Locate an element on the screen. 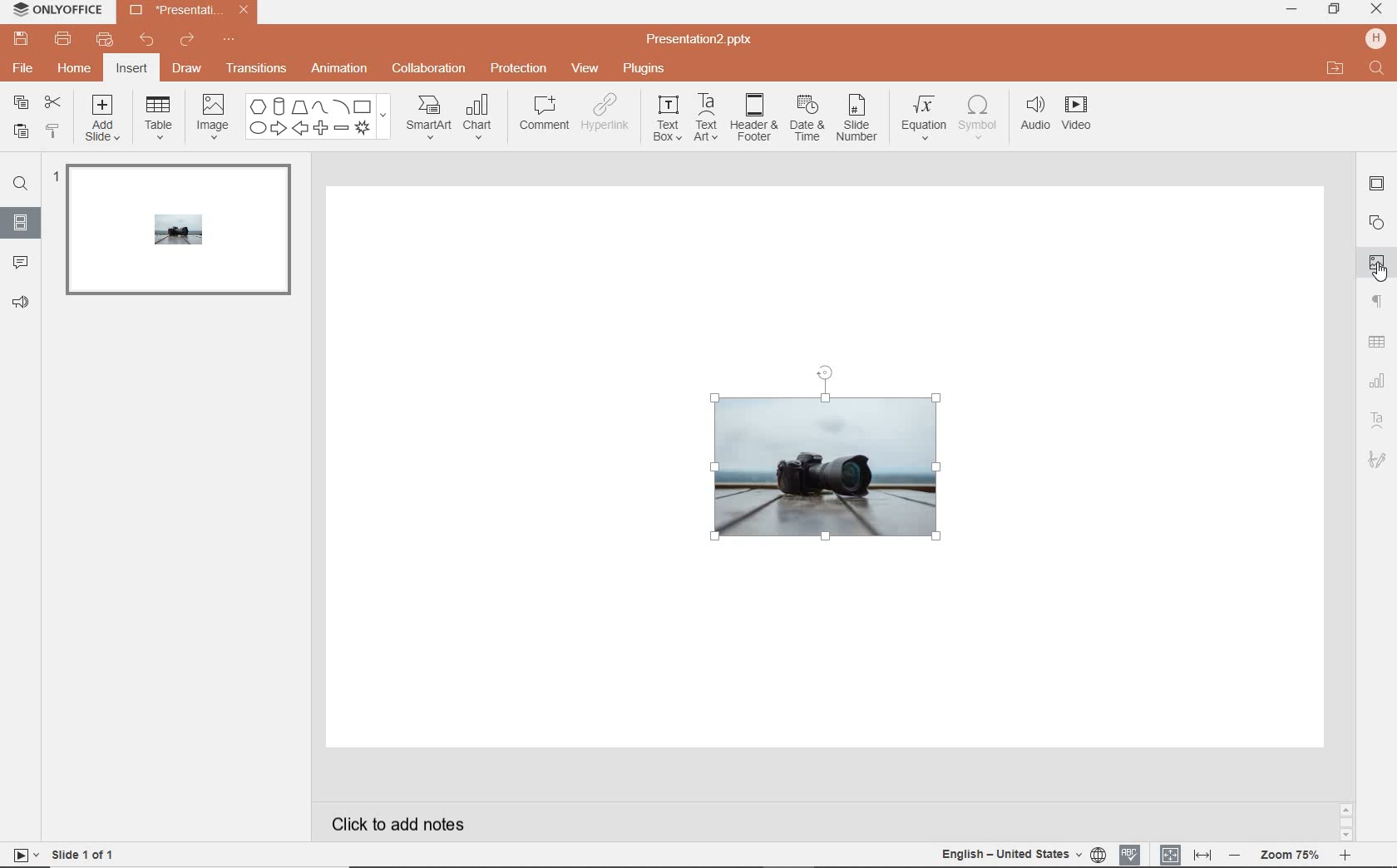  slide 1 of 1 is located at coordinates (62, 856).